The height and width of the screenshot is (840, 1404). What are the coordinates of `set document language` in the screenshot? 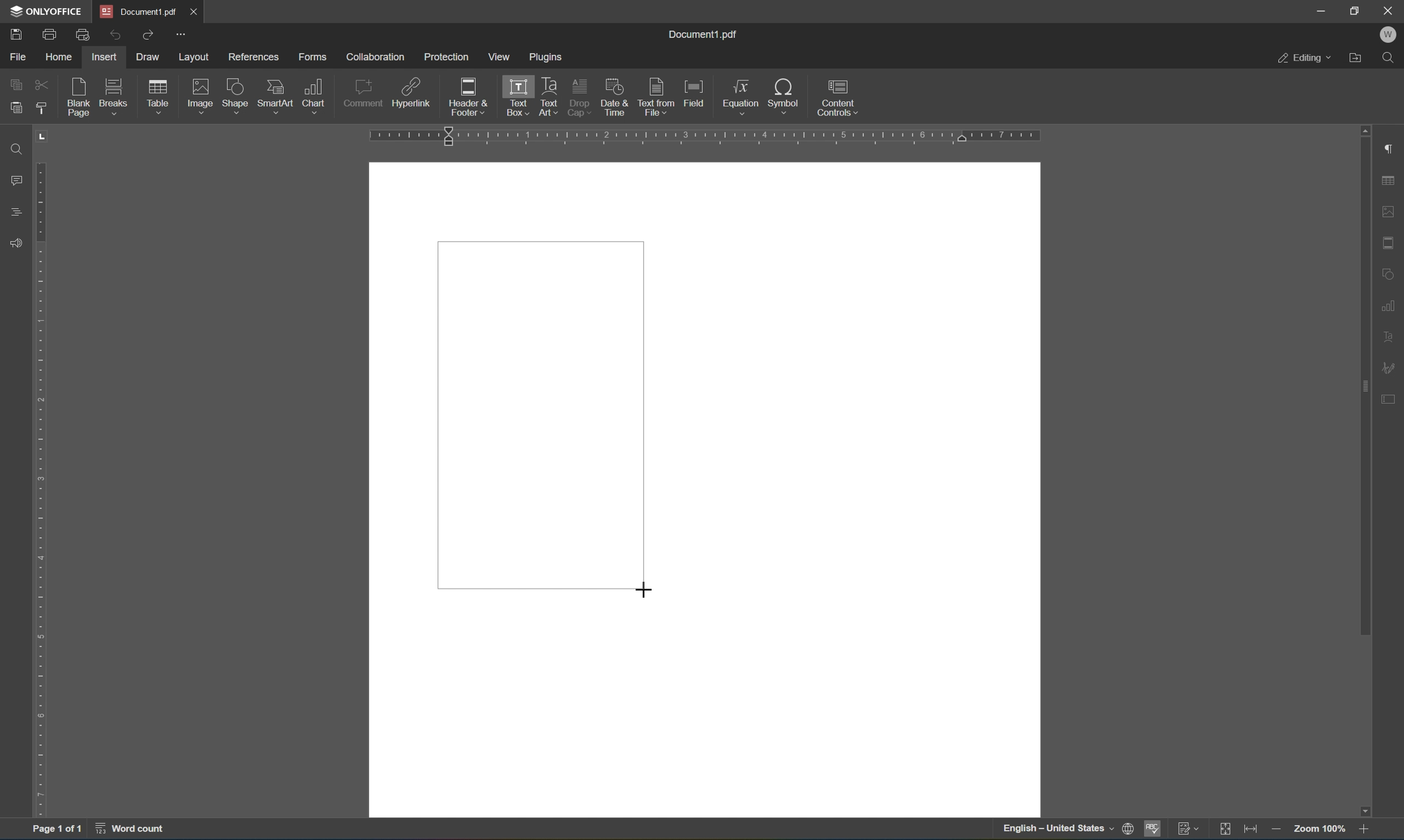 It's located at (1129, 828).